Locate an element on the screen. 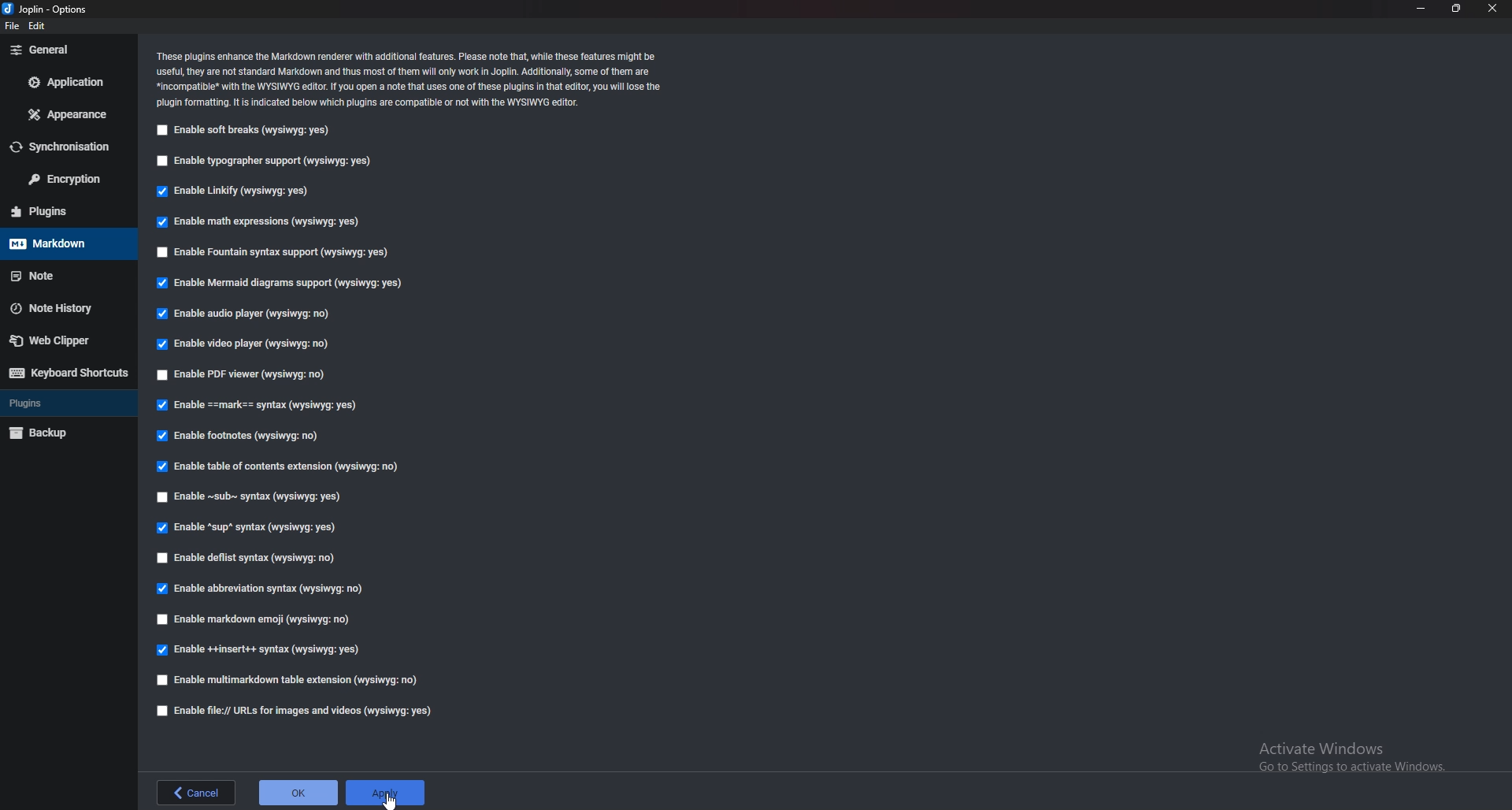 The height and width of the screenshot is (810, 1512). Web clipper is located at coordinates (61, 338).